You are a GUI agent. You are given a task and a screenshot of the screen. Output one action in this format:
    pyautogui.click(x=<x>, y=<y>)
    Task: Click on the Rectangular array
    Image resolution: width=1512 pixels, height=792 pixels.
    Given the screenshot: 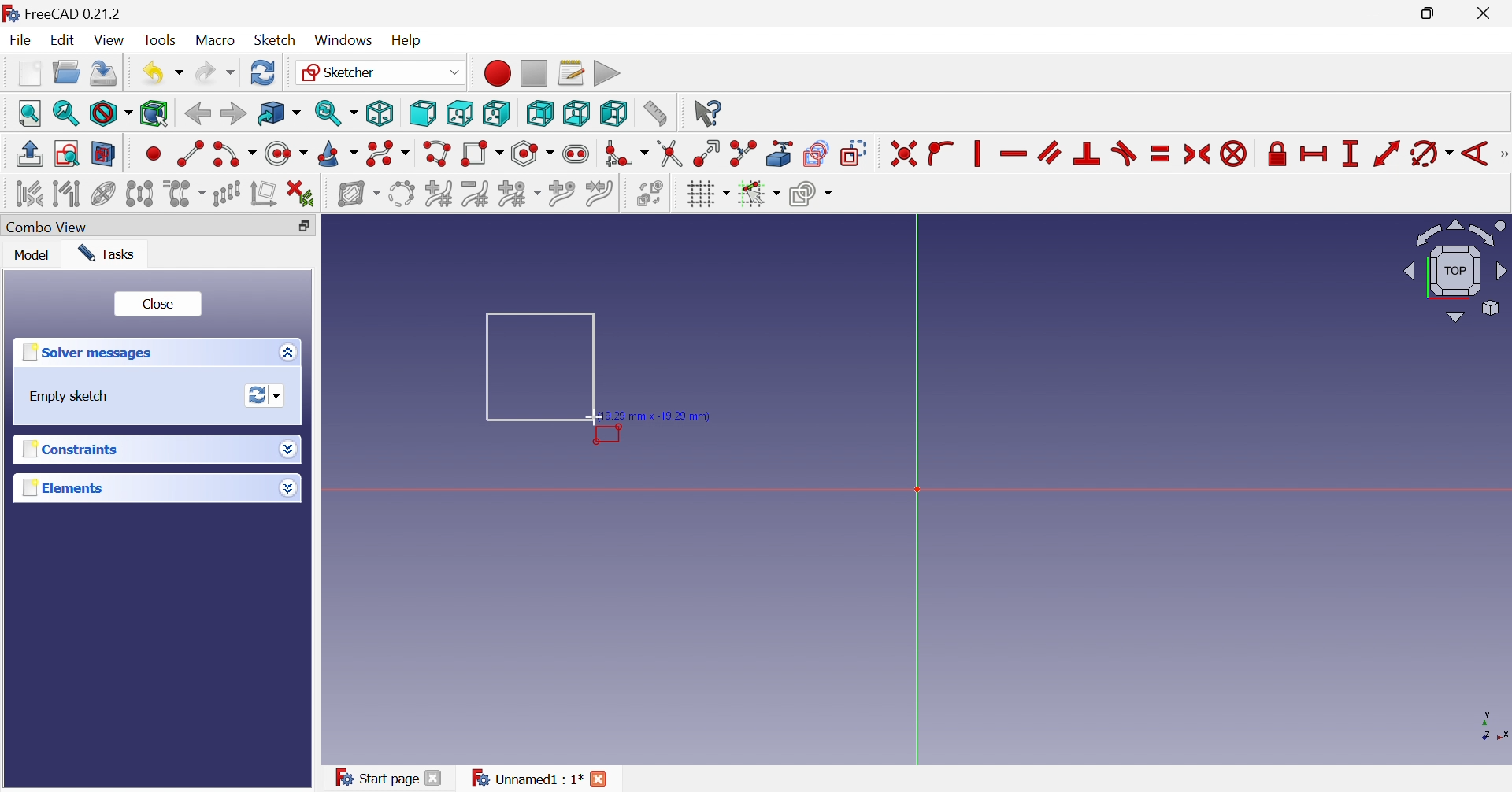 What is the action you would take?
    pyautogui.click(x=227, y=194)
    